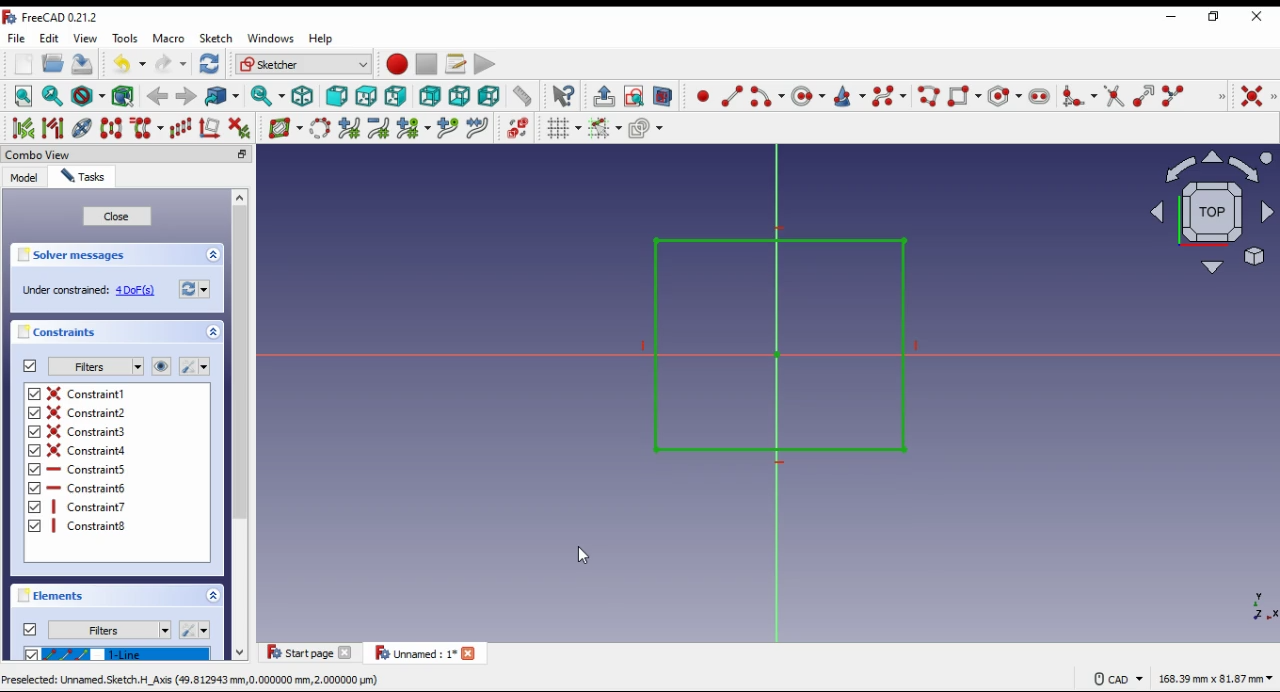 This screenshot has width=1280, height=692. What do you see at coordinates (53, 128) in the screenshot?
I see `select associated geometry` at bounding box center [53, 128].